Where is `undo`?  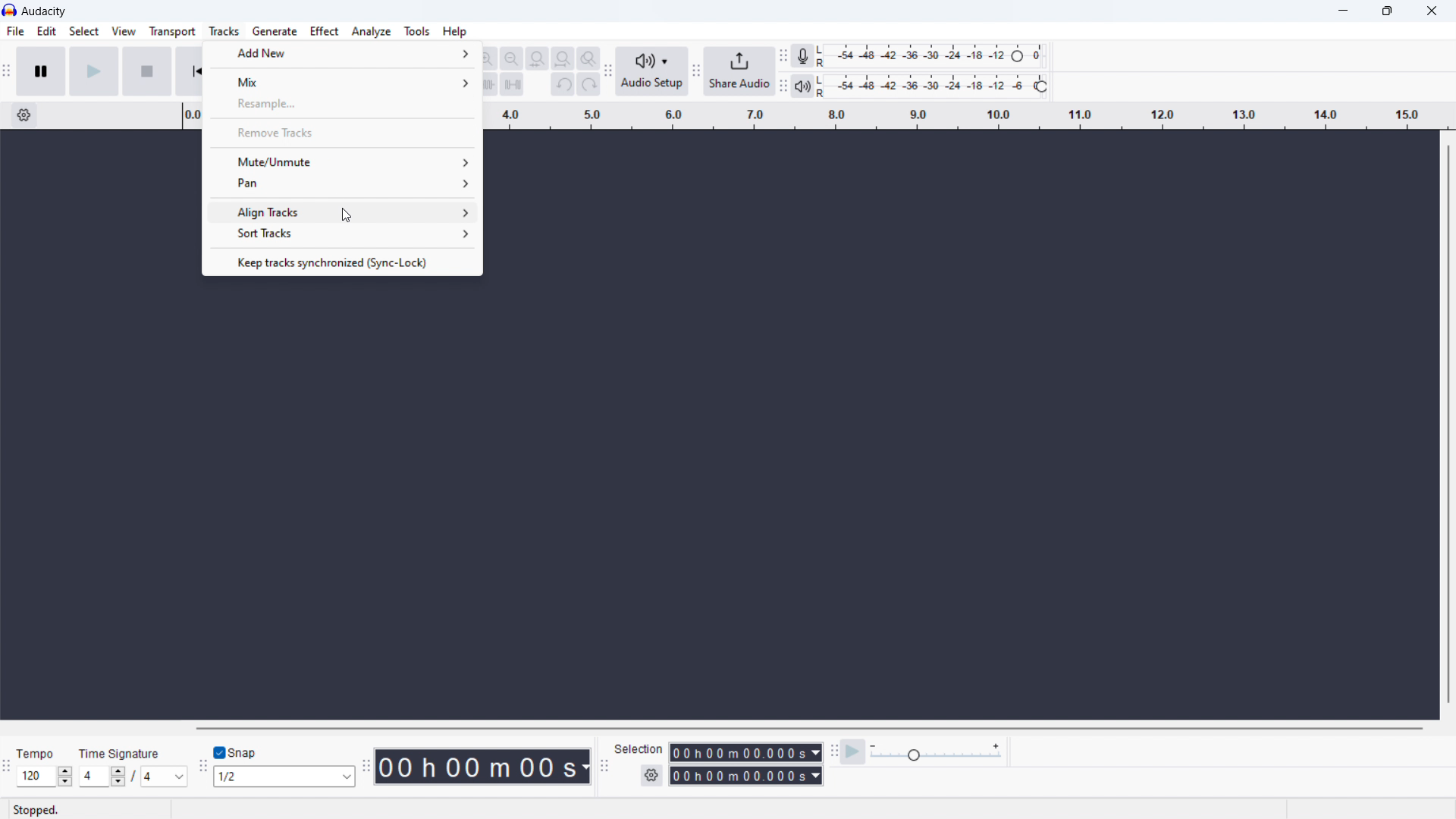 undo is located at coordinates (563, 84).